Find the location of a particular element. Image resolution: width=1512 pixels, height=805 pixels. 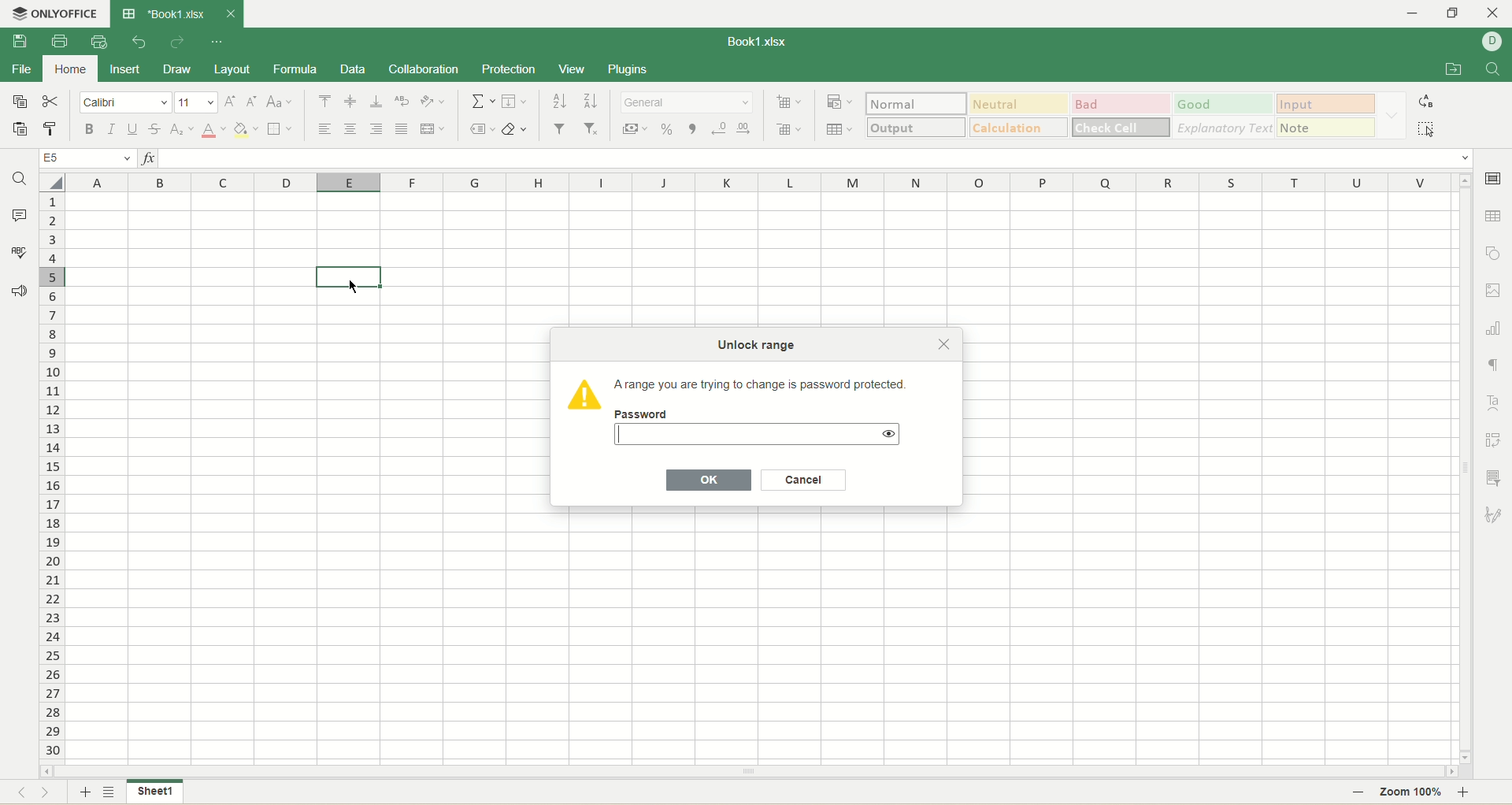

protection is located at coordinates (510, 70).